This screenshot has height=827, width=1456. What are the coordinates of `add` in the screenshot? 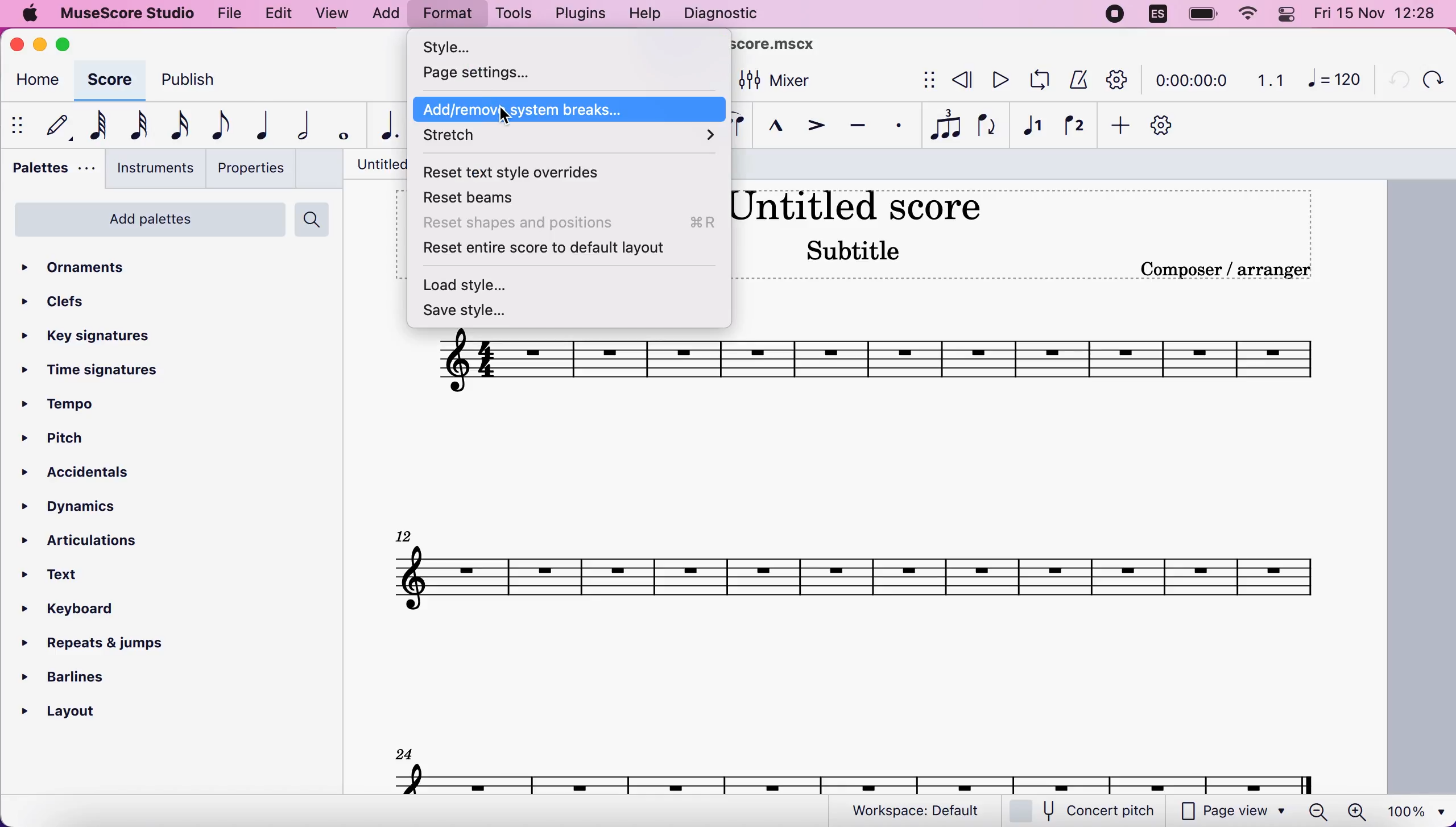 It's located at (1116, 126).